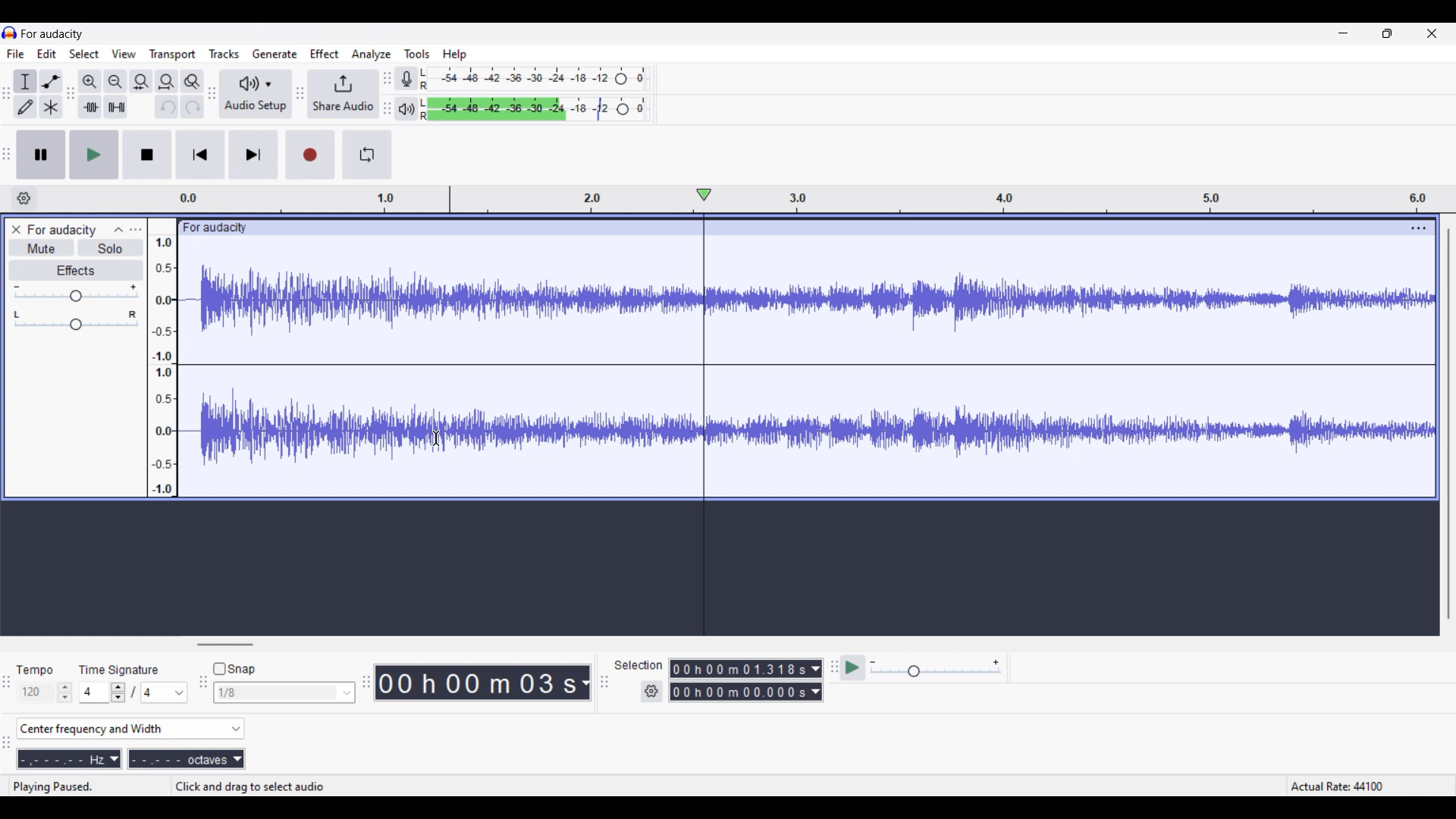 The width and height of the screenshot is (1456, 819). Describe the element at coordinates (814, 199) in the screenshot. I see `Scale to measure track length` at that location.